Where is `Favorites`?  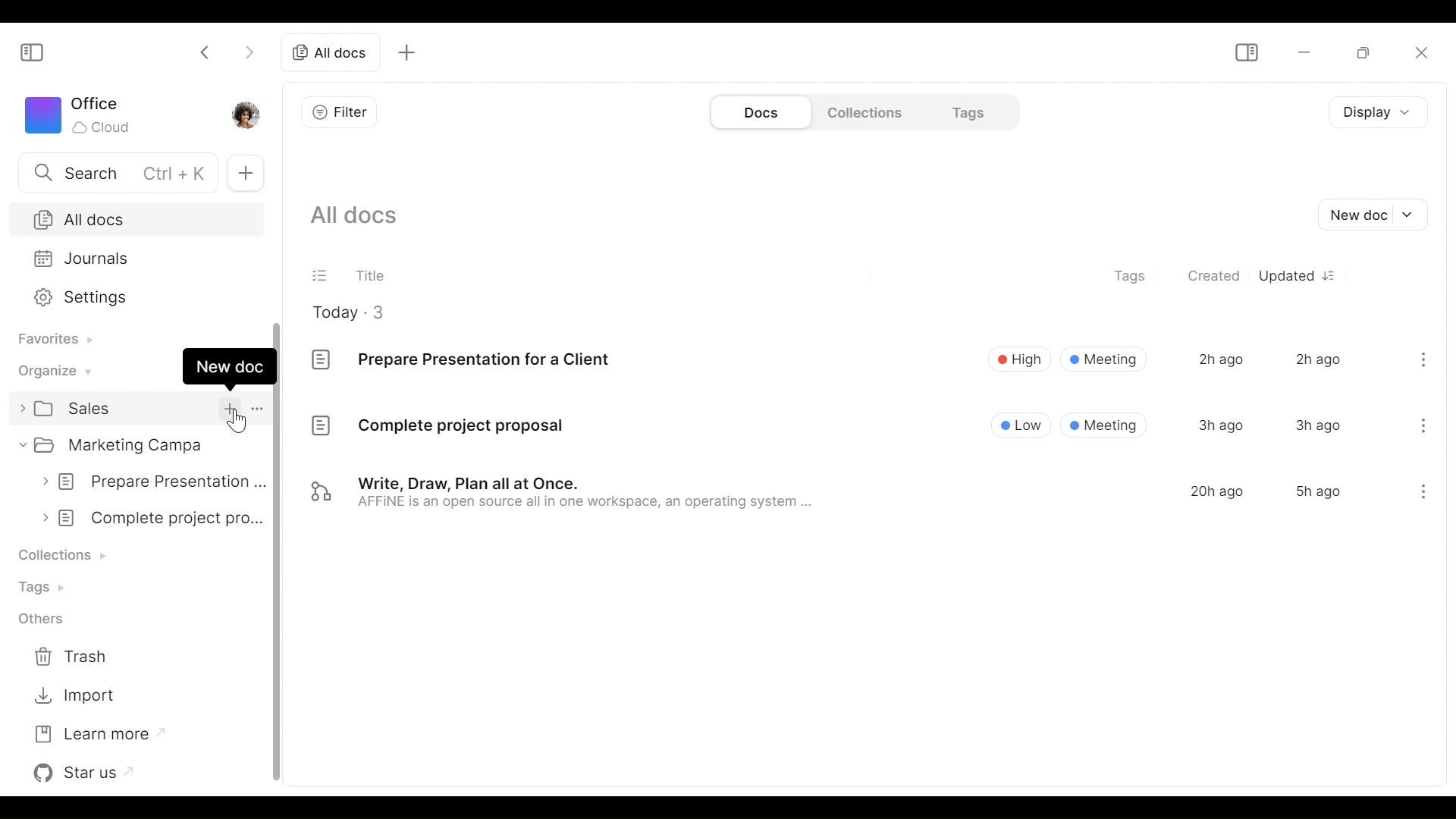 Favorites is located at coordinates (52, 339).